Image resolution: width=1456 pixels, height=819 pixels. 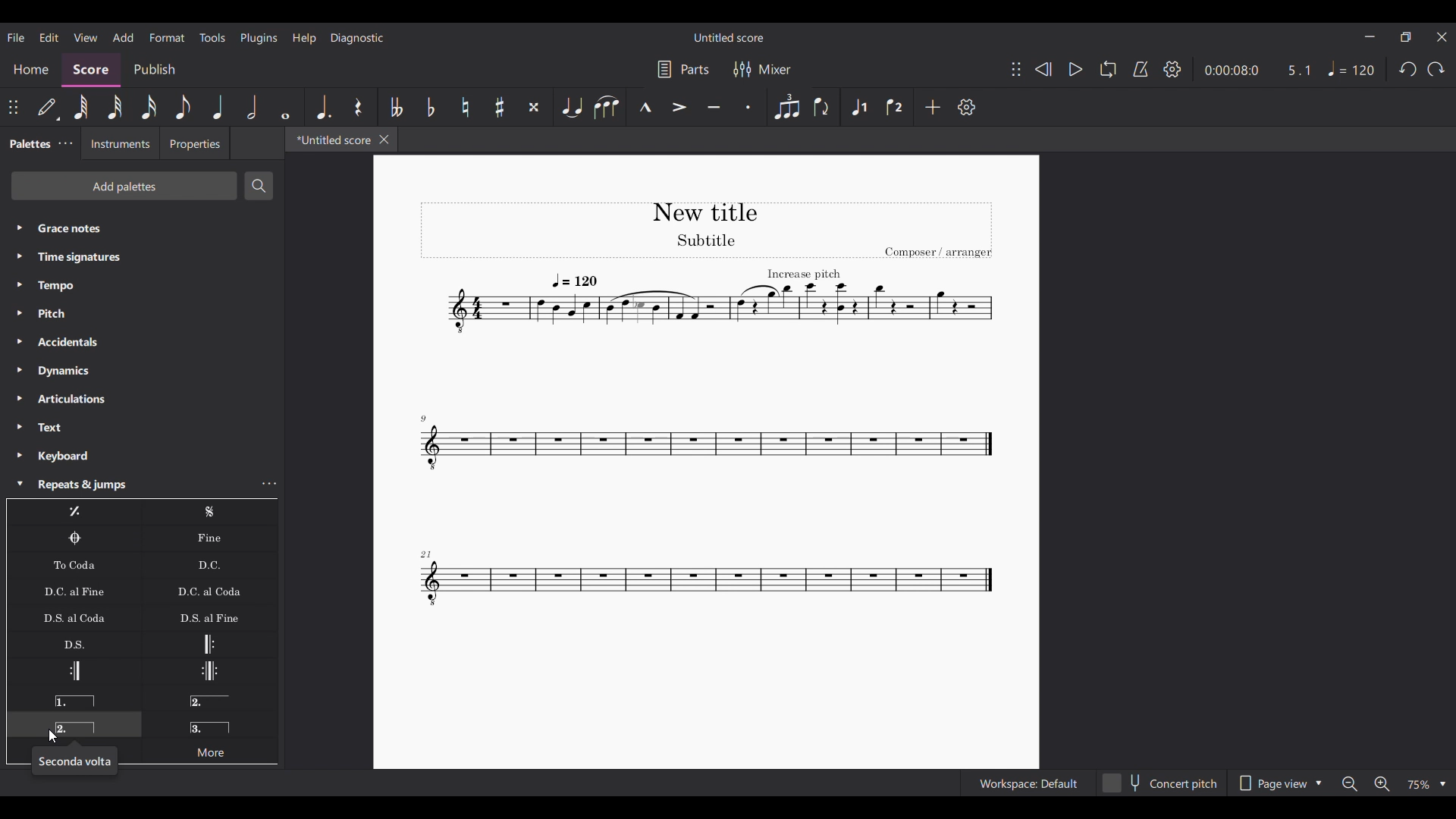 What do you see at coordinates (933, 107) in the screenshot?
I see `Add` at bounding box center [933, 107].